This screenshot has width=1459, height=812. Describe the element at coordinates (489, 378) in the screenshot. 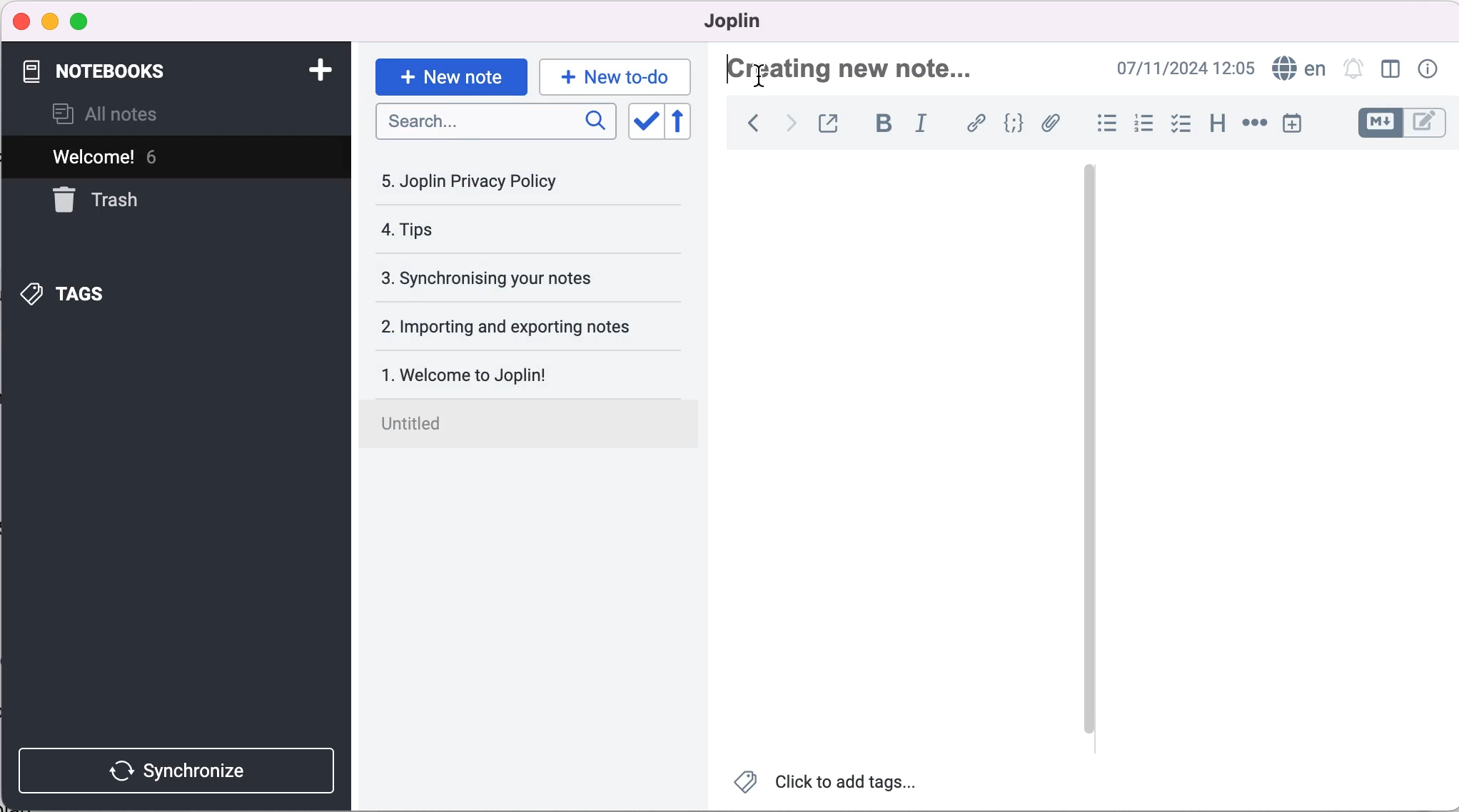

I see `welcome to joplin!` at that location.